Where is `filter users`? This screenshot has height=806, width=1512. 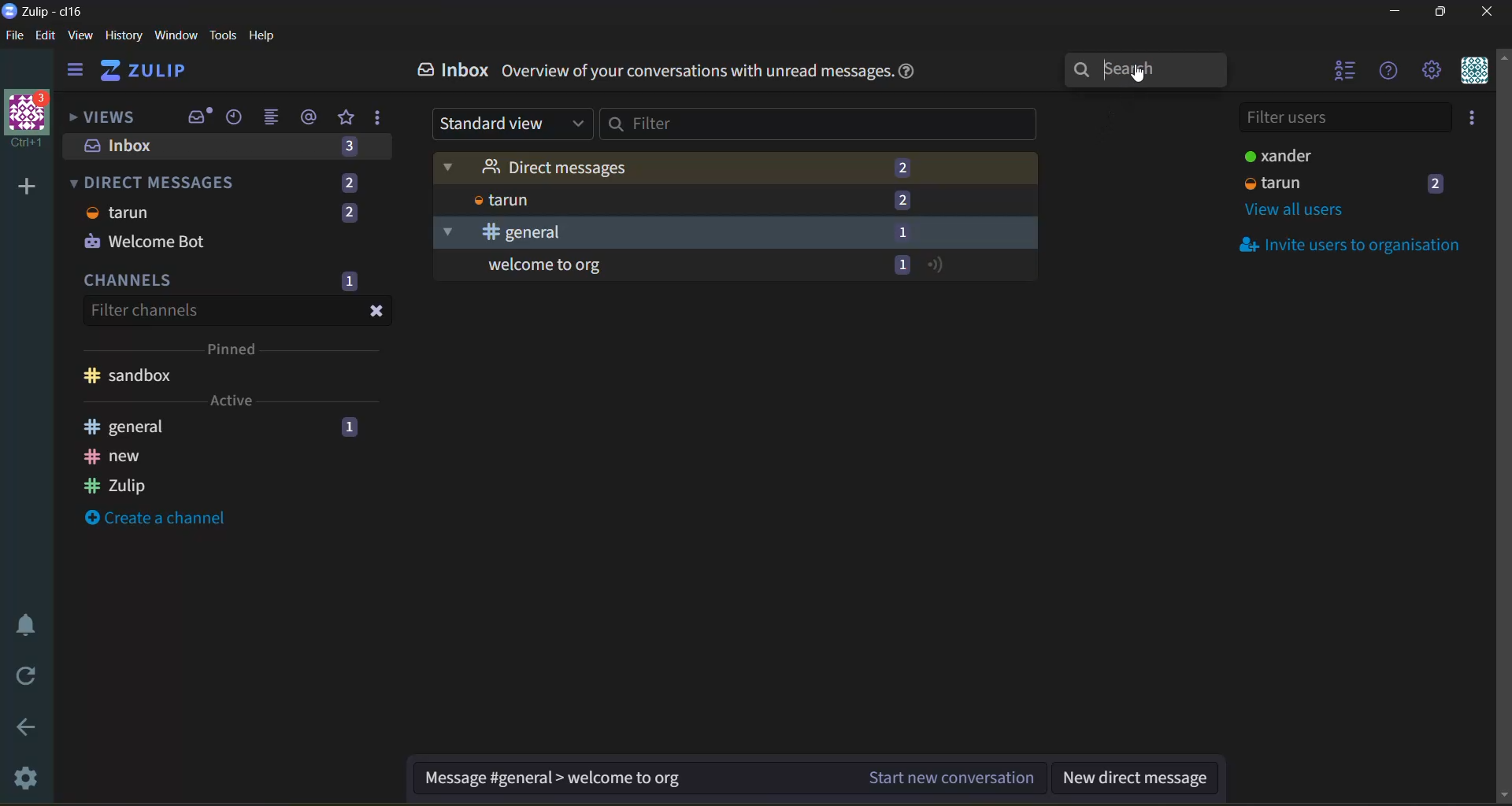
filter users is located at coordinates (1344, 119).